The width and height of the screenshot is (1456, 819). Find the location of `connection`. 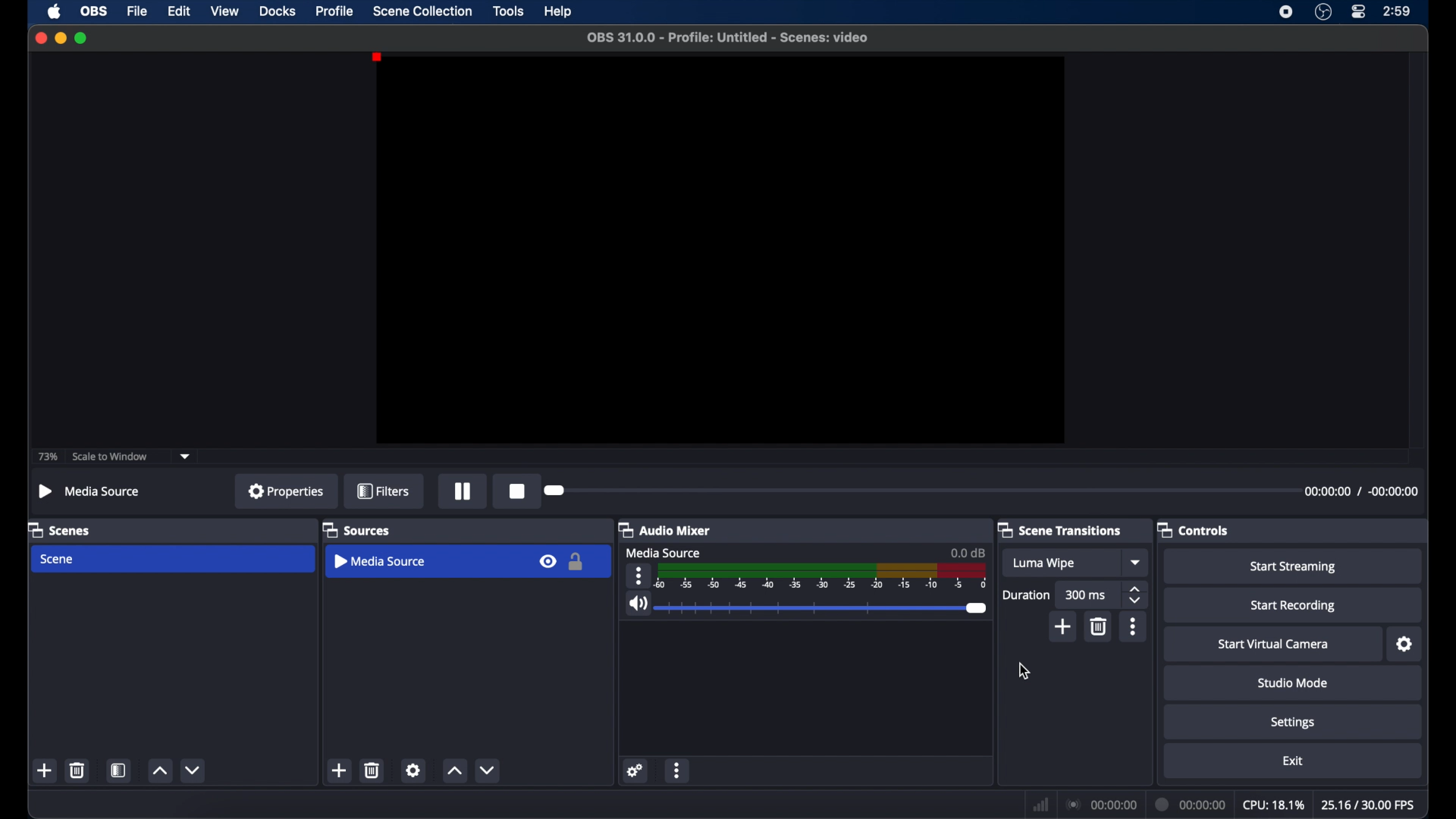

connection is located at coordinates (1100, 805).